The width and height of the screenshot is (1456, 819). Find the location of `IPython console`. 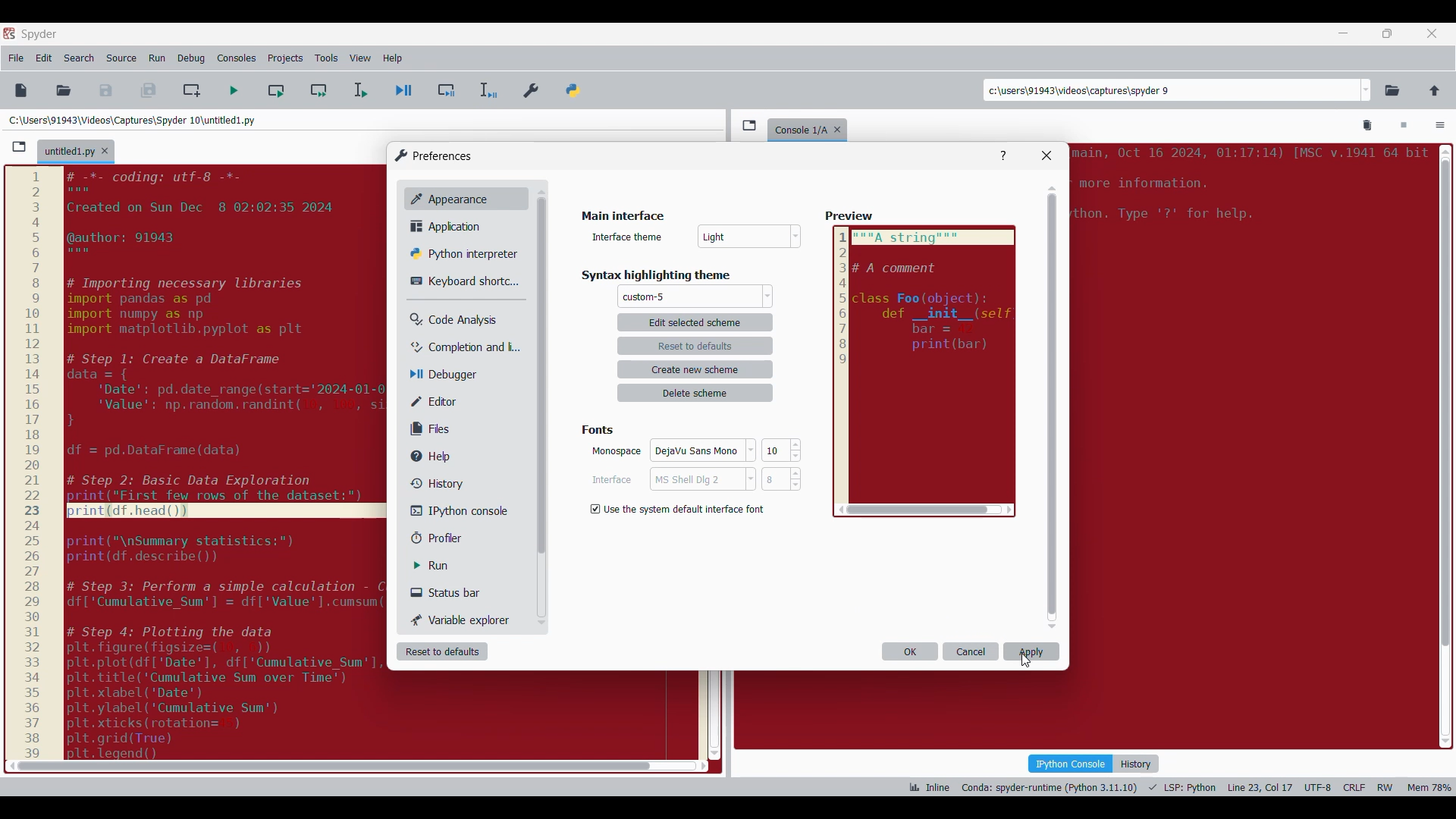

IPython console is located at coordinates (454, 510).